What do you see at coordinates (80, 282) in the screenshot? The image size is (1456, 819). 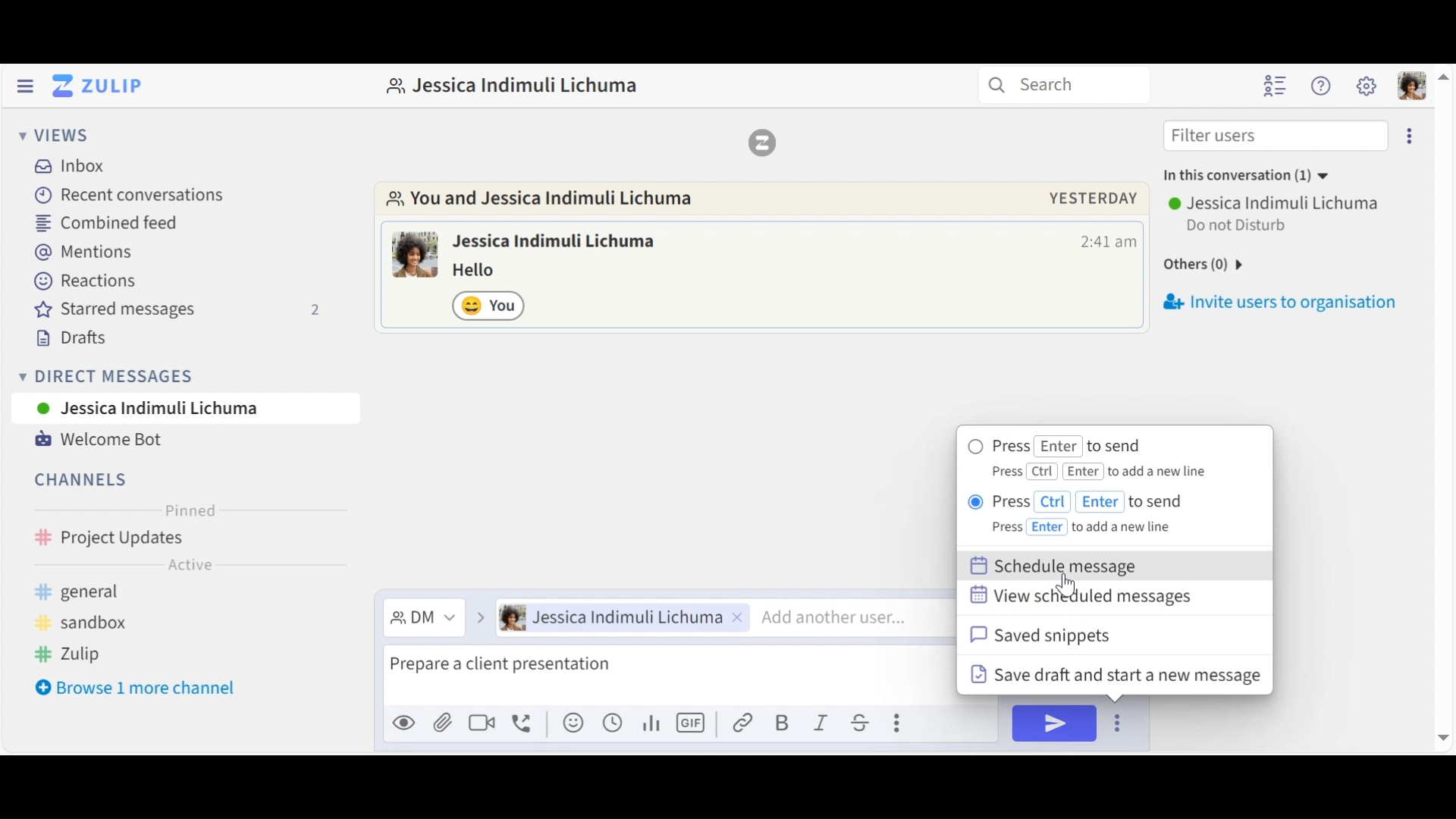 I see `Reactions` at bounding box center [80, 282].